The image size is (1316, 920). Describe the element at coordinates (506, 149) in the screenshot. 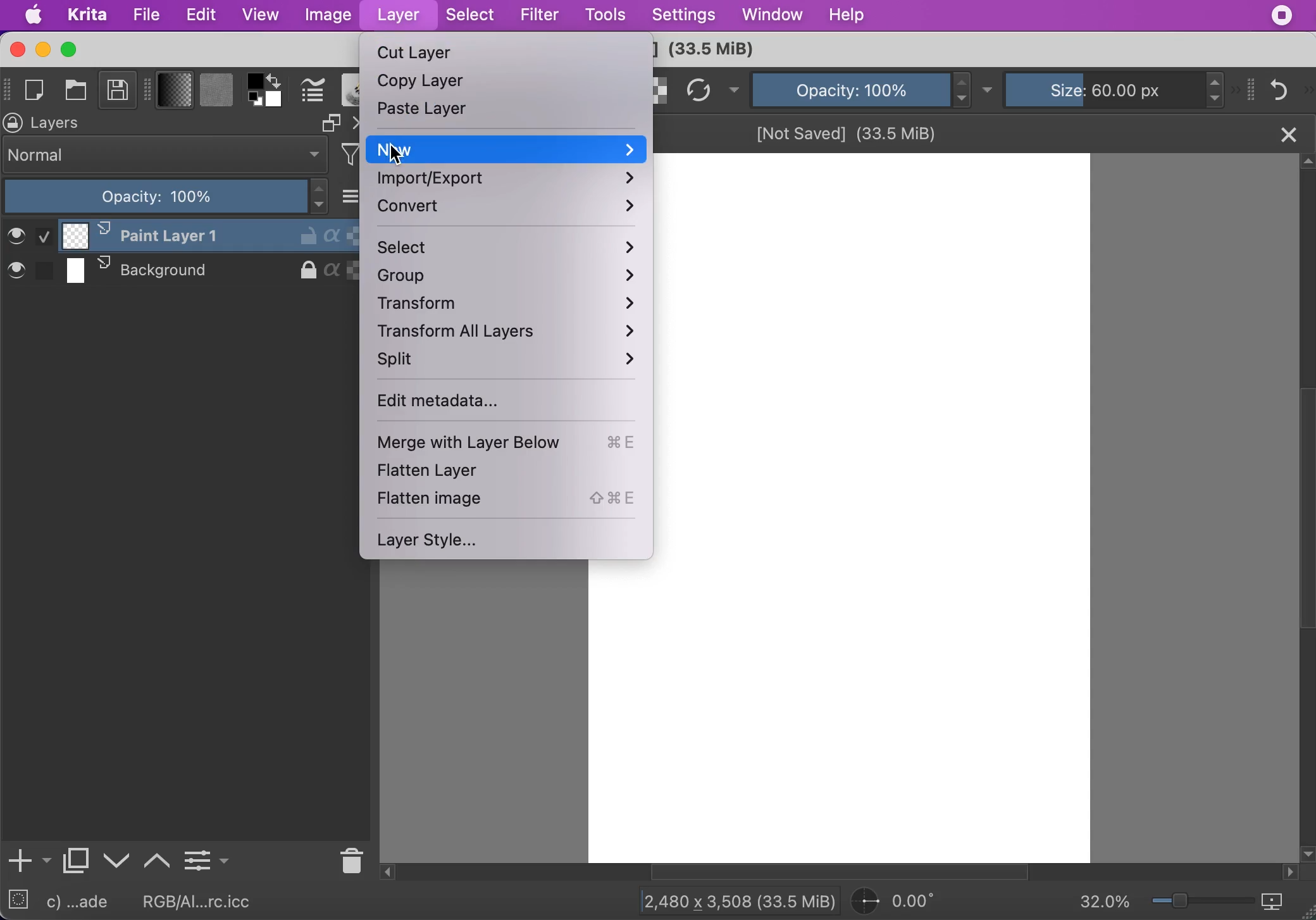

I see `new` at that location.